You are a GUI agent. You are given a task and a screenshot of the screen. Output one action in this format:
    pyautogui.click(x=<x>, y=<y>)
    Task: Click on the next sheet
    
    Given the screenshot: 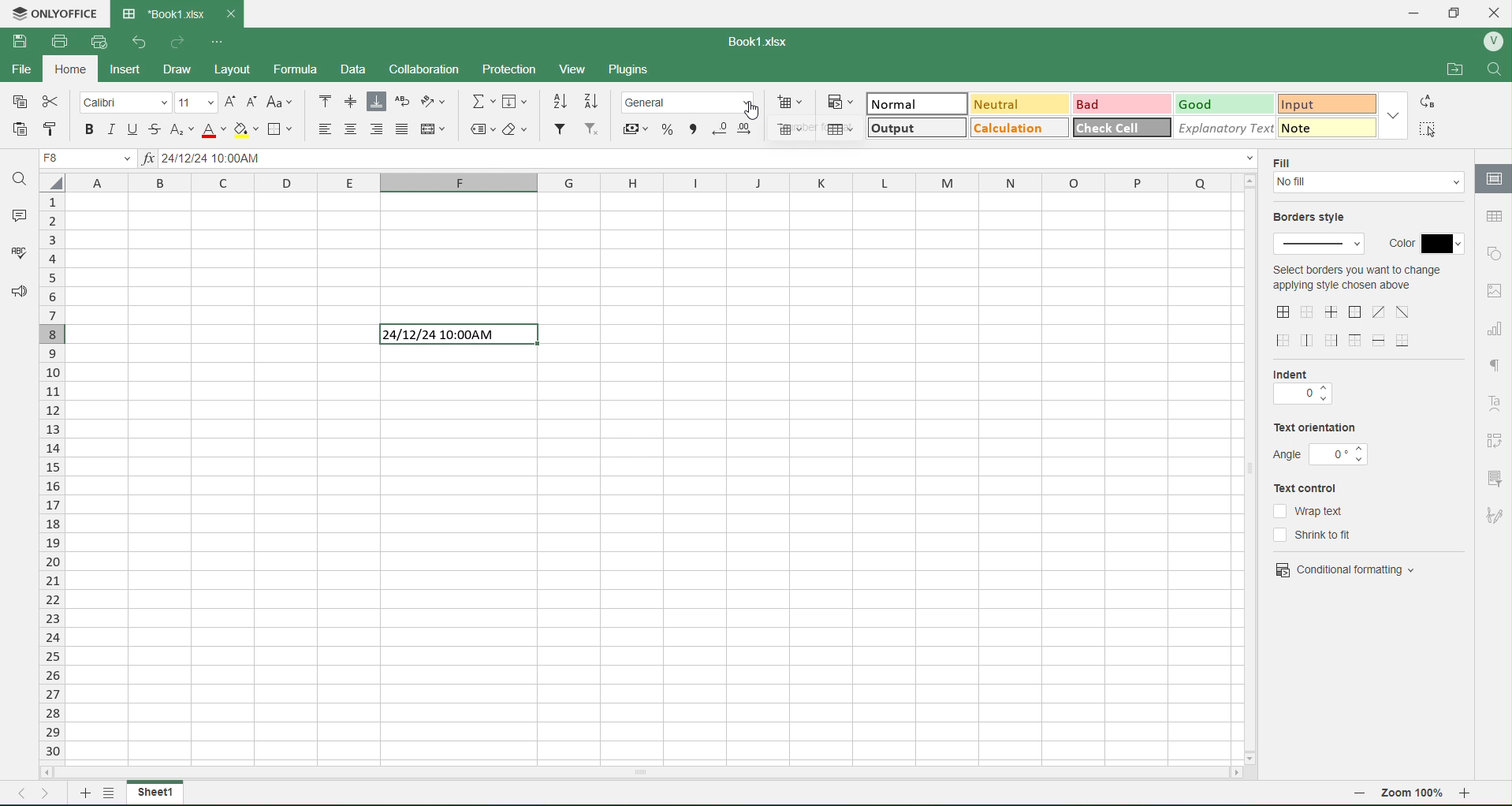 What is the action you would take?
    pyautogui.click(x=49, y=792)
    